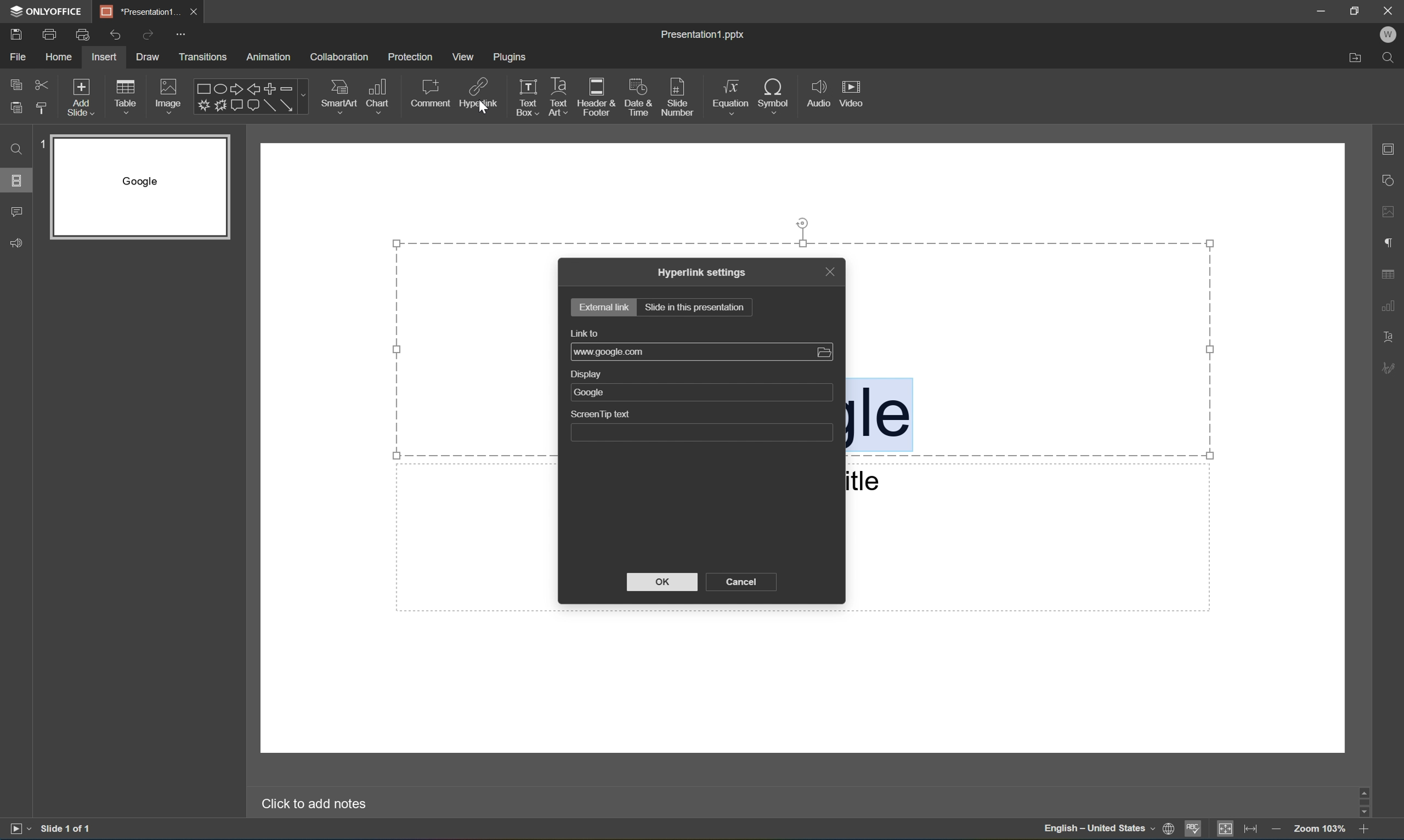 Image resolution: width=1404 pixels, height=840 pixels. Describe the element at coordinates (1228, 829) in the screenshot. I see `Fit to slide` at that location.